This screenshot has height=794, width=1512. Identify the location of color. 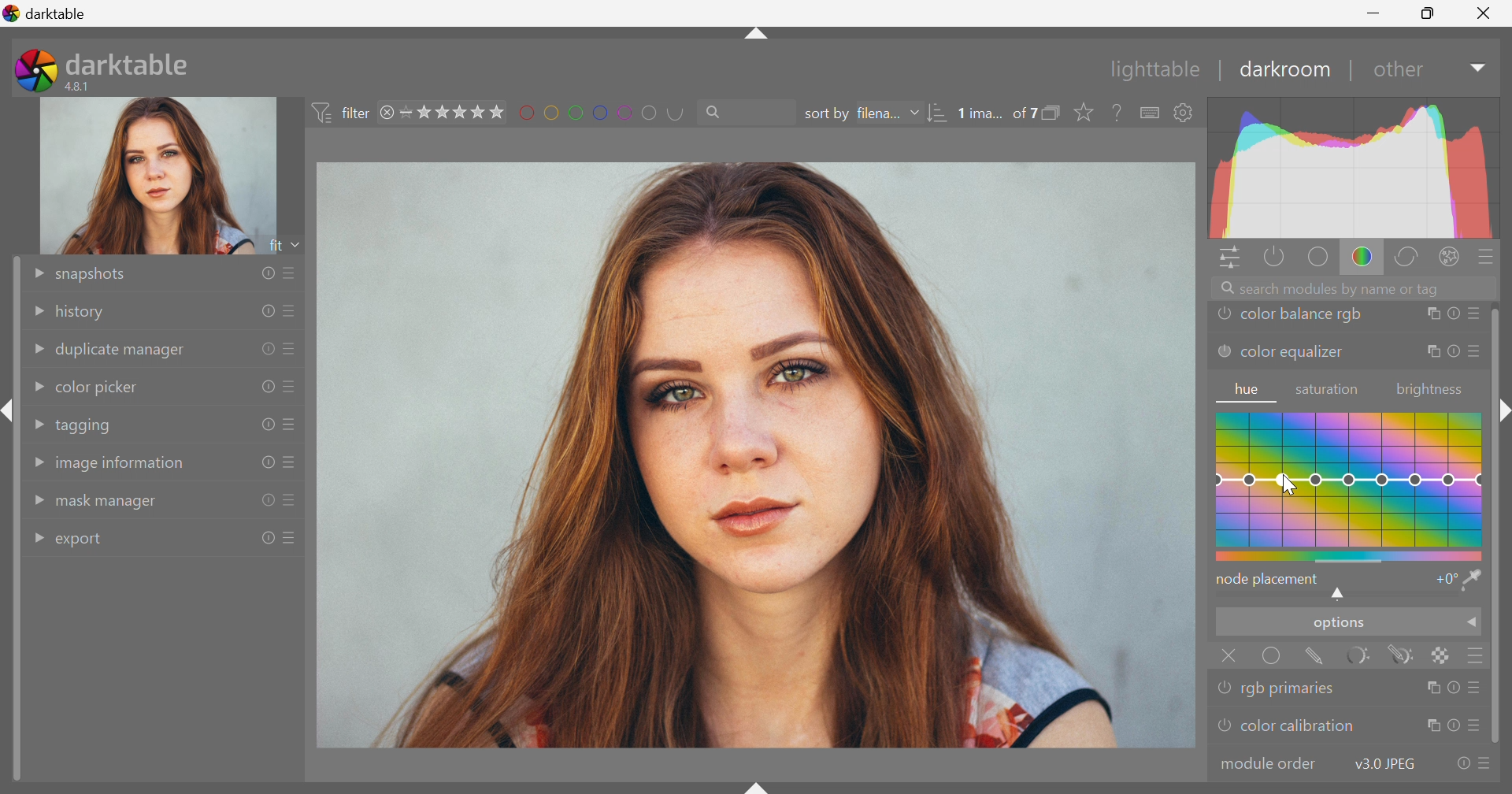
(1362, 258).